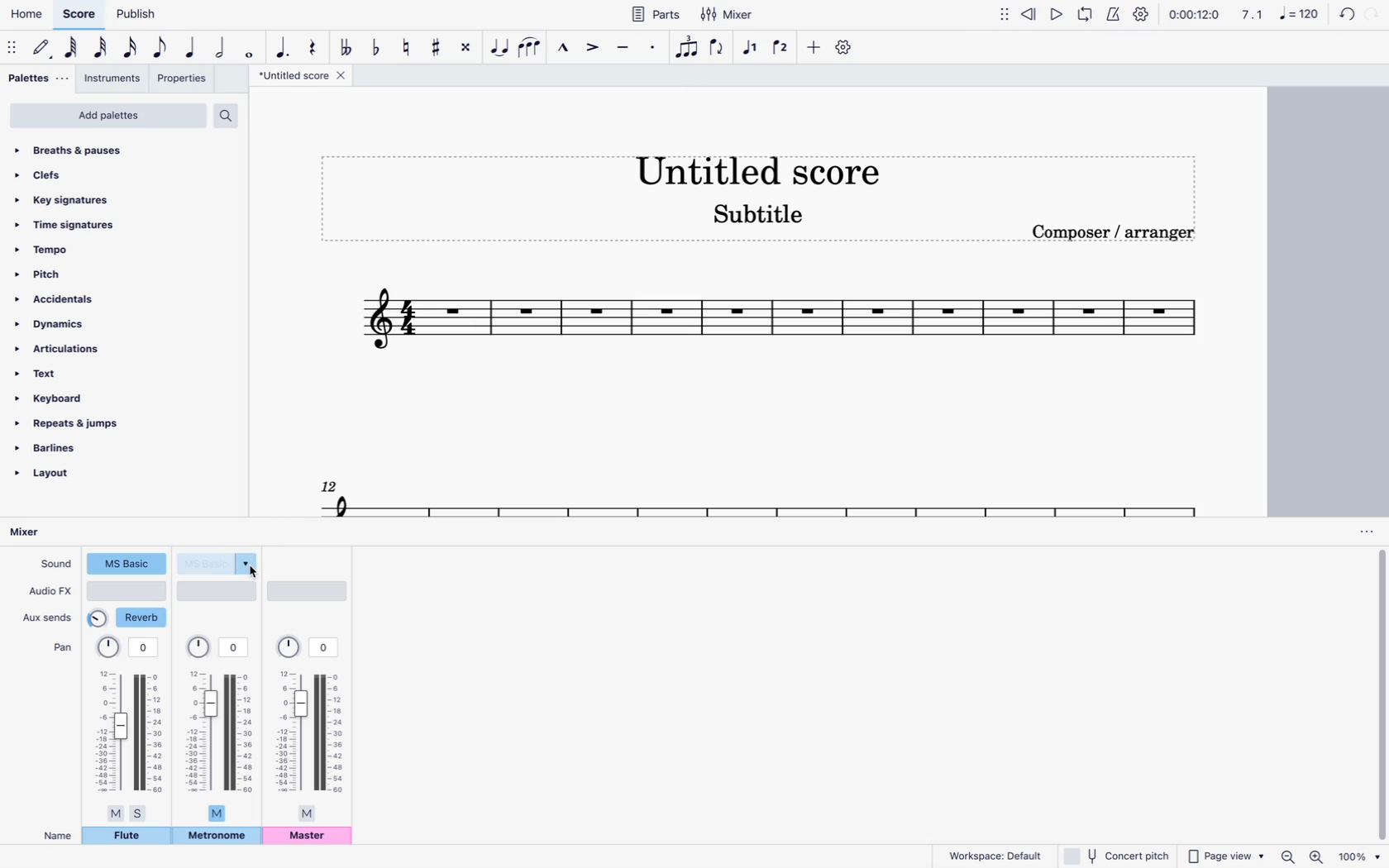 The height and width of the screenshot is (868, 1389). Describe the element at coordinates (345, 46) in the screenshot. I see `toggle double flat` at that location.